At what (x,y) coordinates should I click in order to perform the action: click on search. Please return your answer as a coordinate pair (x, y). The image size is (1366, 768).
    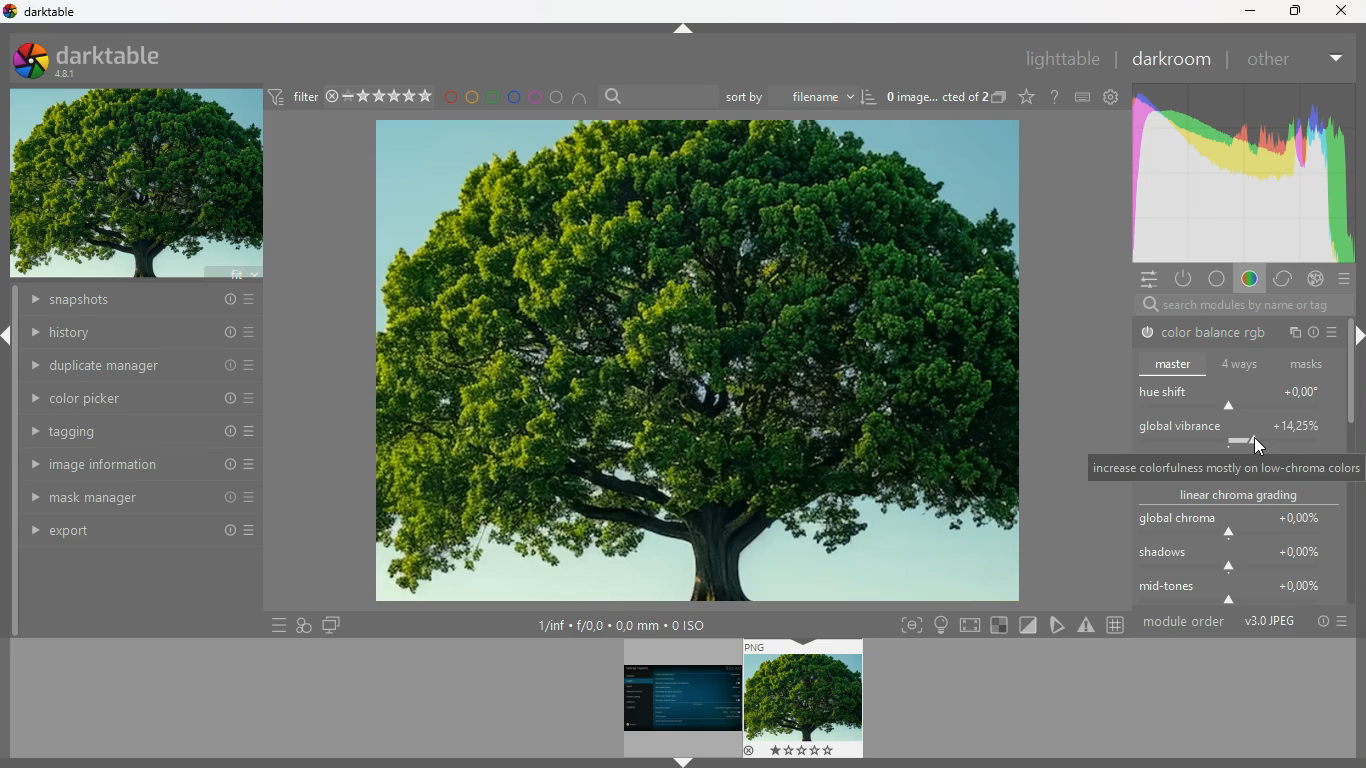
    Looking at the image, I should click on (657, 97).